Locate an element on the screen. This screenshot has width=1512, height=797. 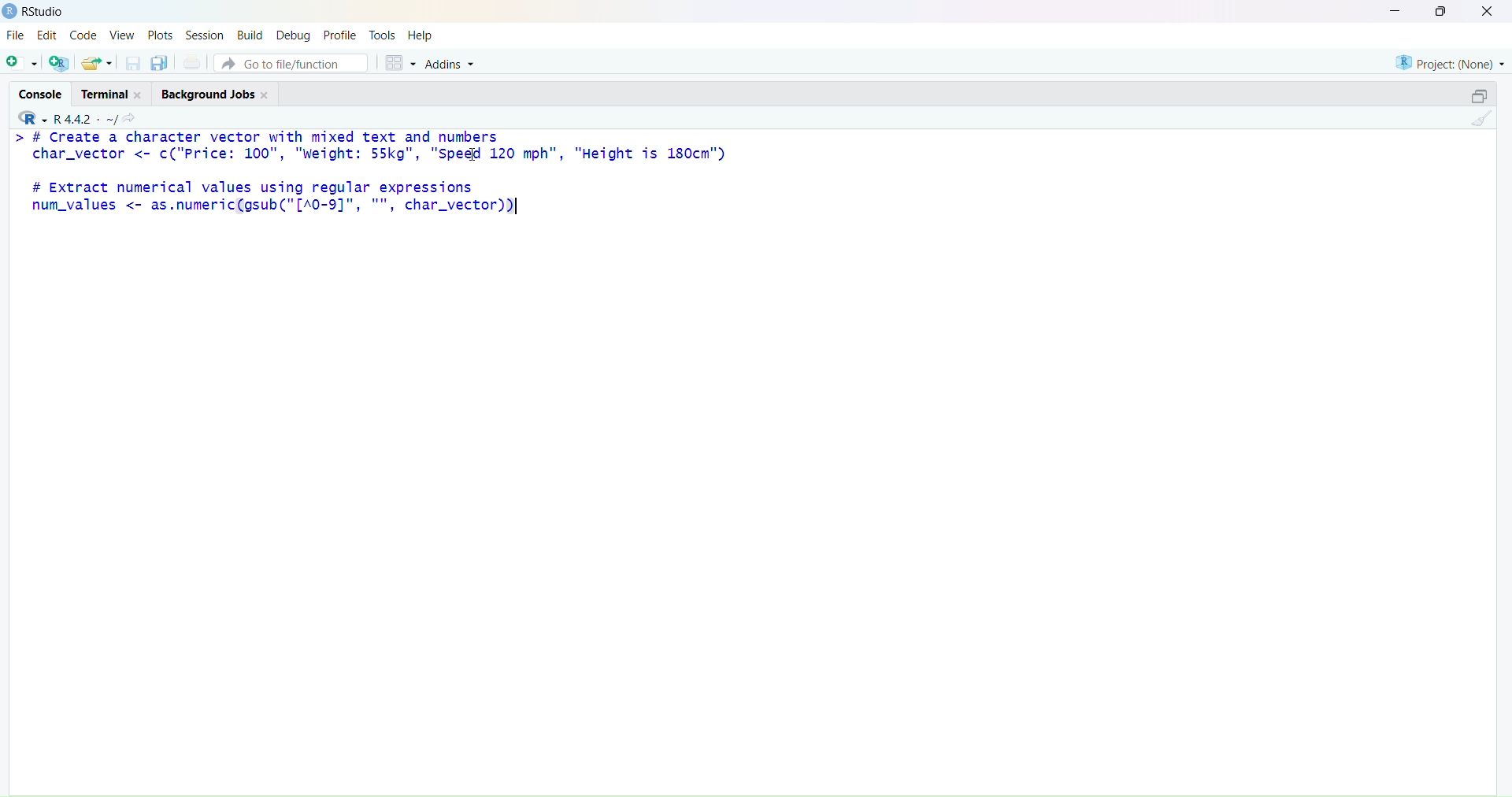
copy is located at coordinates (159, 63).